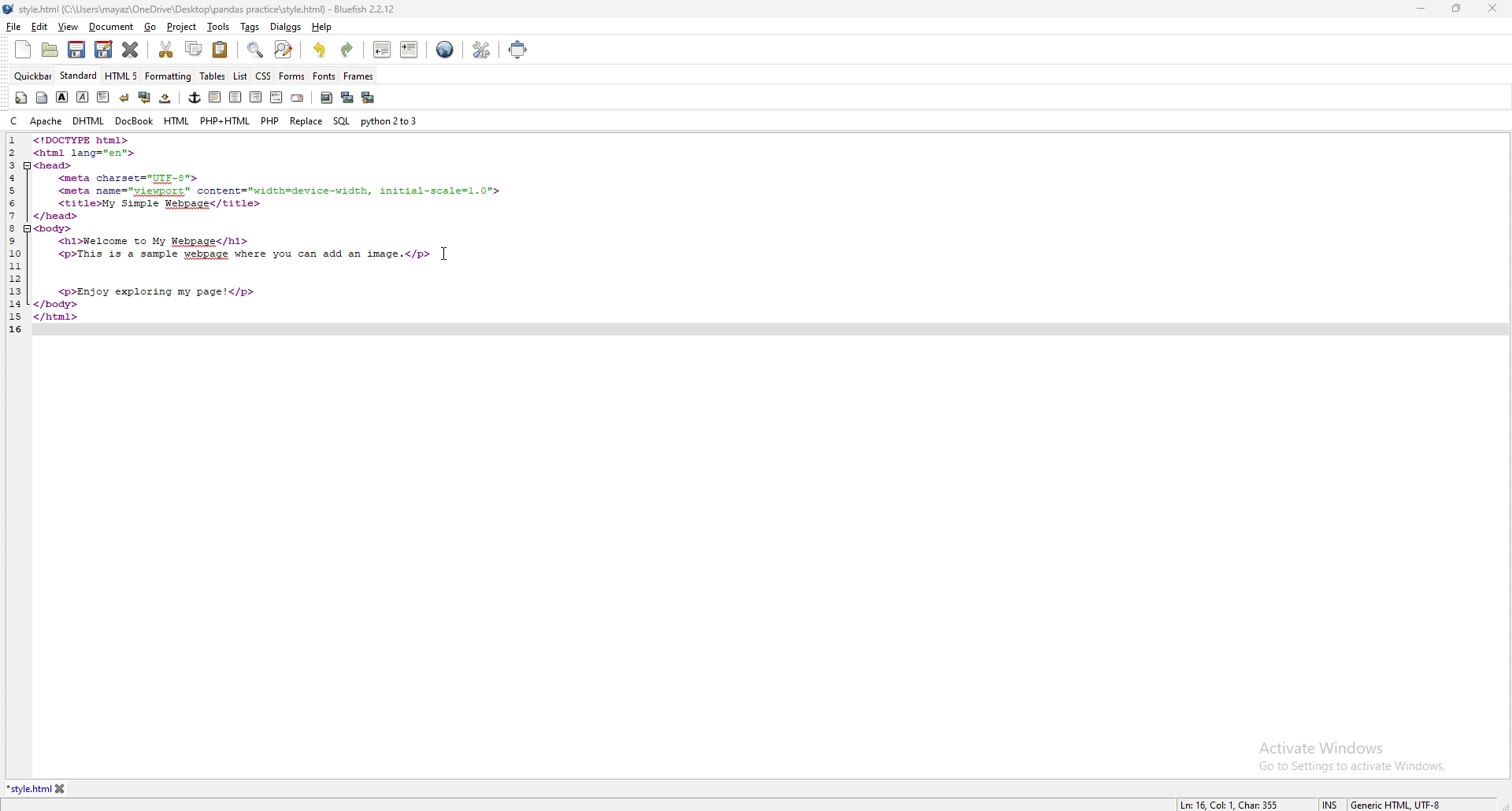 This screenshot has height=811, width=1512. Describe the element at coordinates (77, 50) in the screenshot. I see `save` at that location.